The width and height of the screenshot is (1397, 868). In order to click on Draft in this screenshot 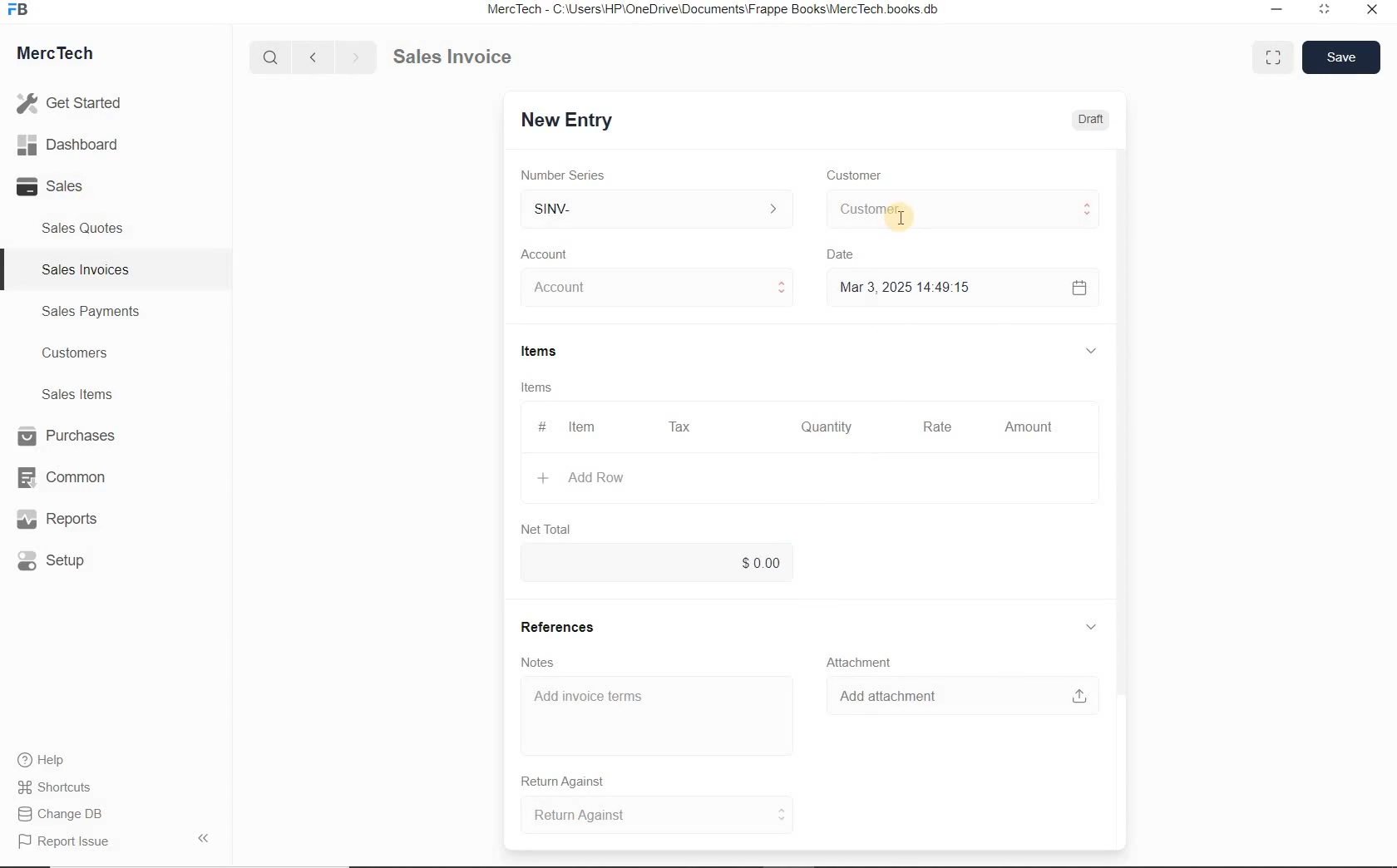, I will do `click(1092, 120)`.